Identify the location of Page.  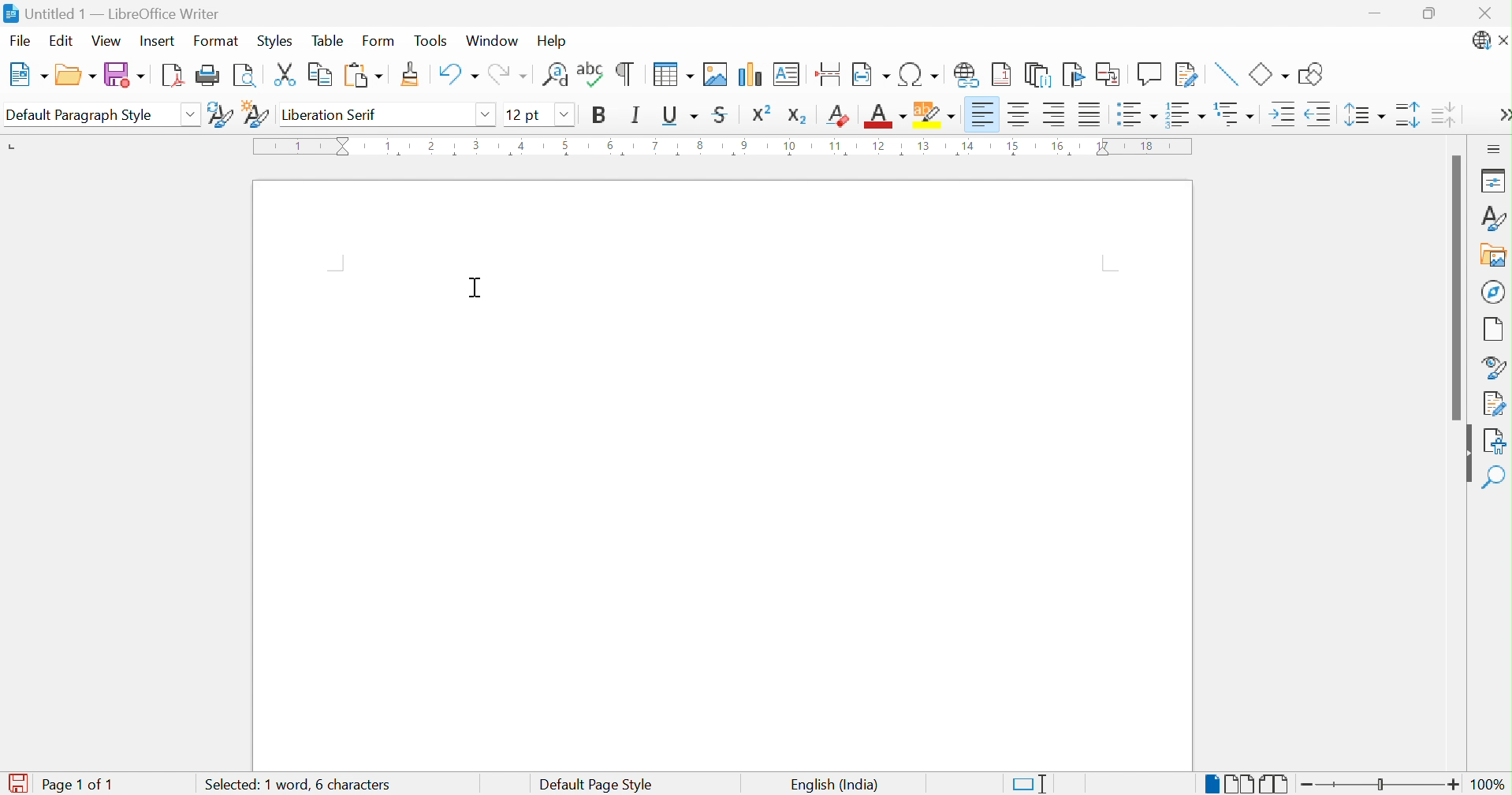
(1495, 328).